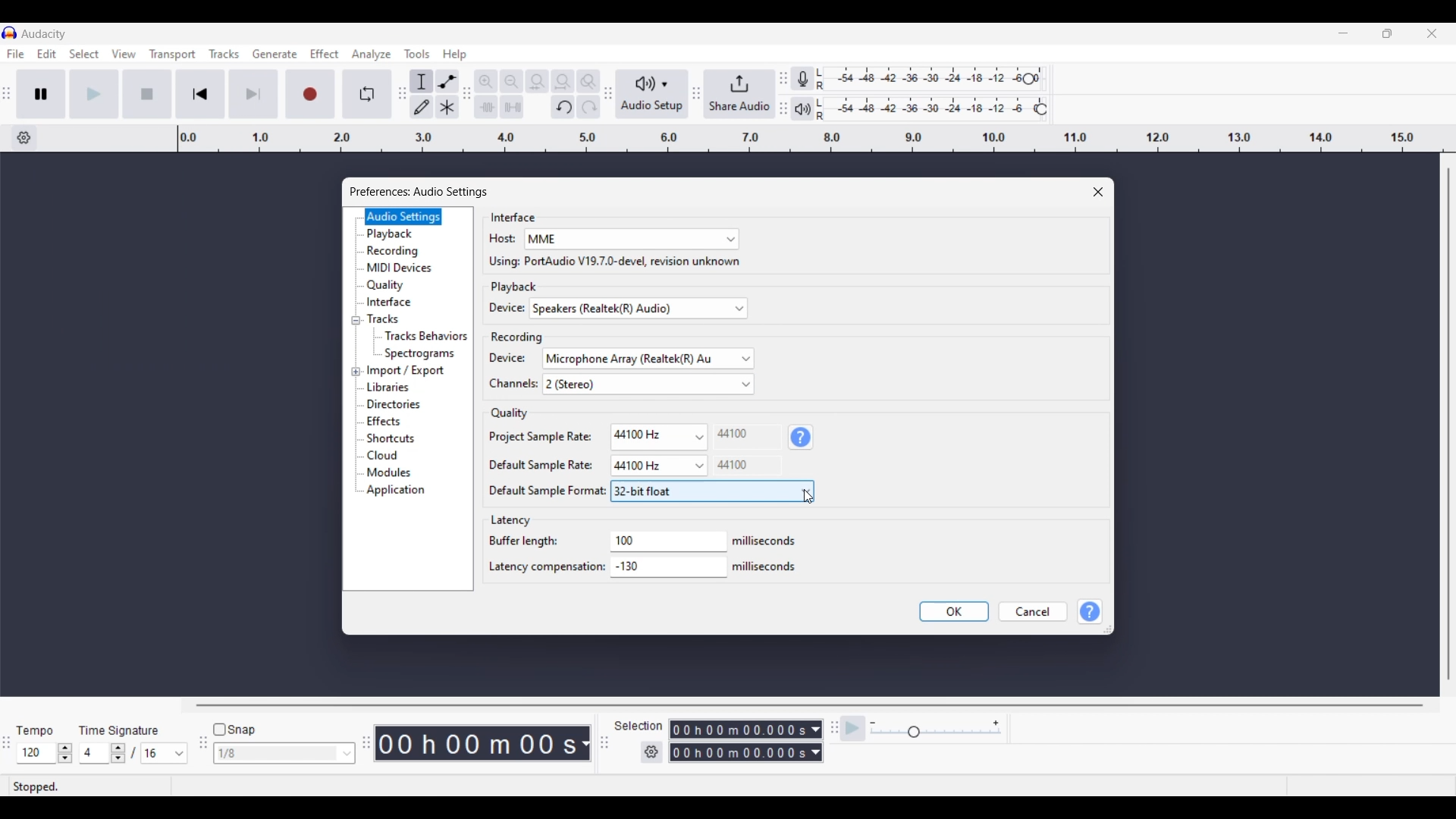  I want to click on Redo, so click(588, 106).